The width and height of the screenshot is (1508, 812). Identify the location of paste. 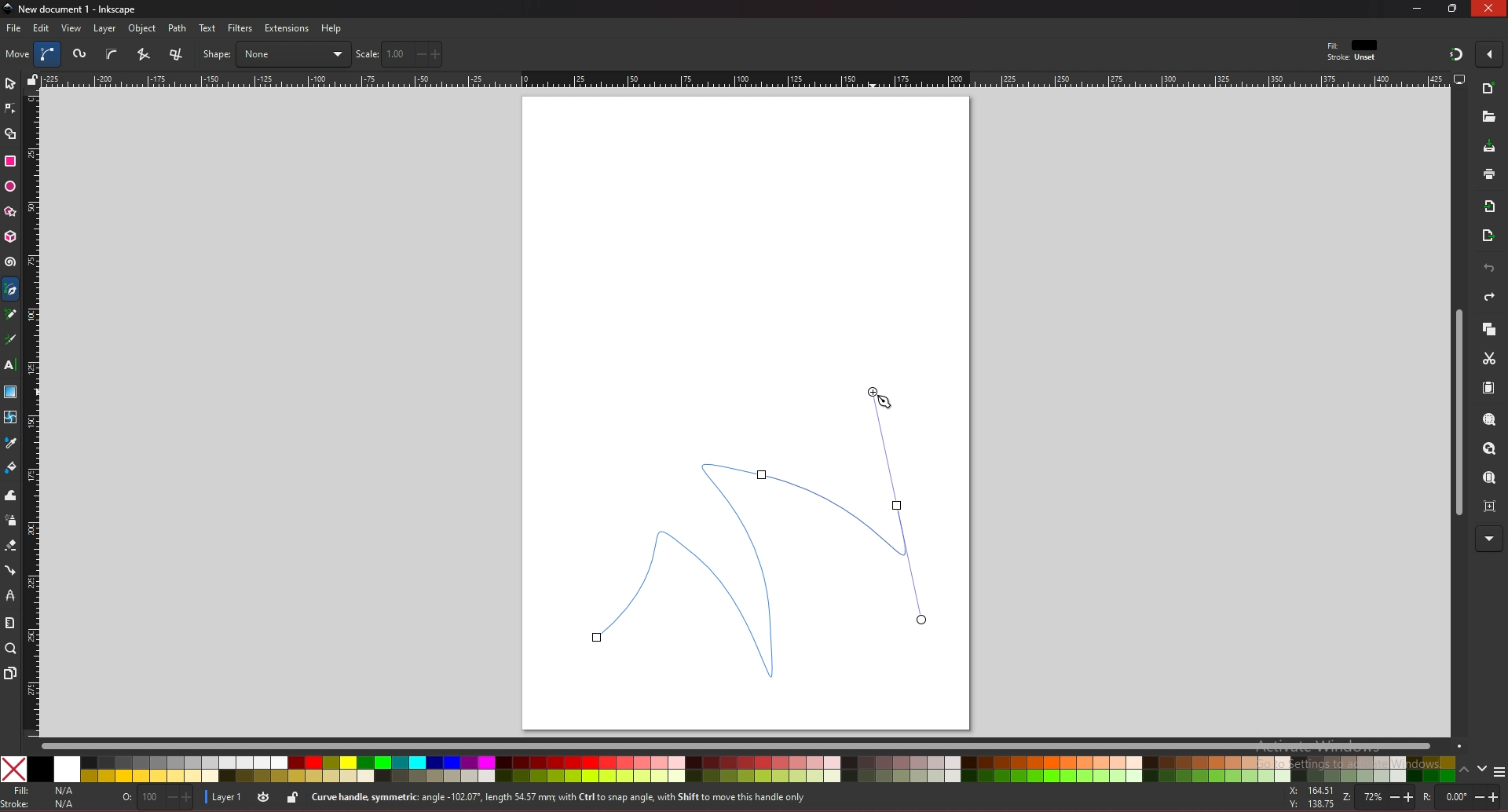
(1488, 389).